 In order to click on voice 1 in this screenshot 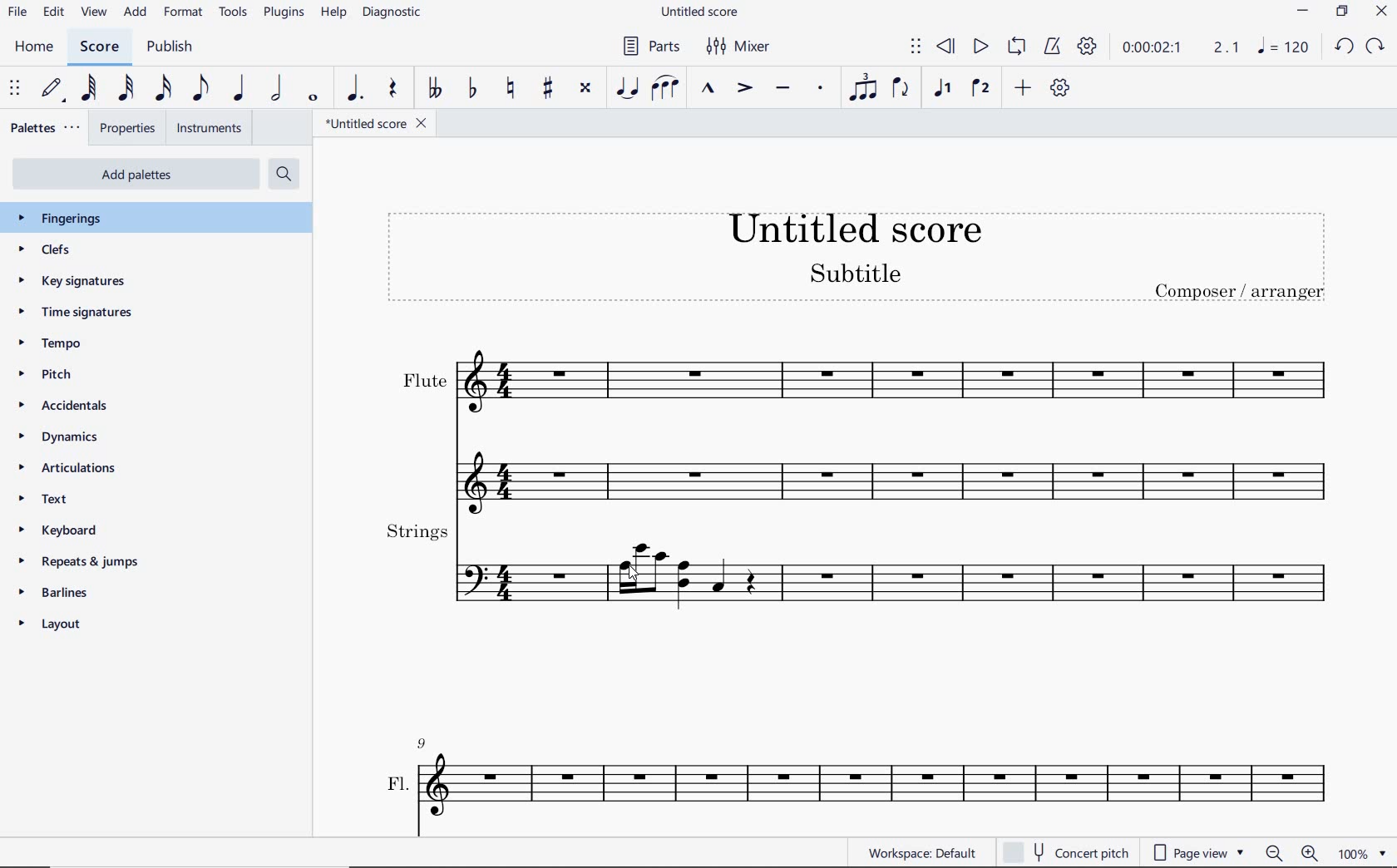, I will do `click(943, 89)`.